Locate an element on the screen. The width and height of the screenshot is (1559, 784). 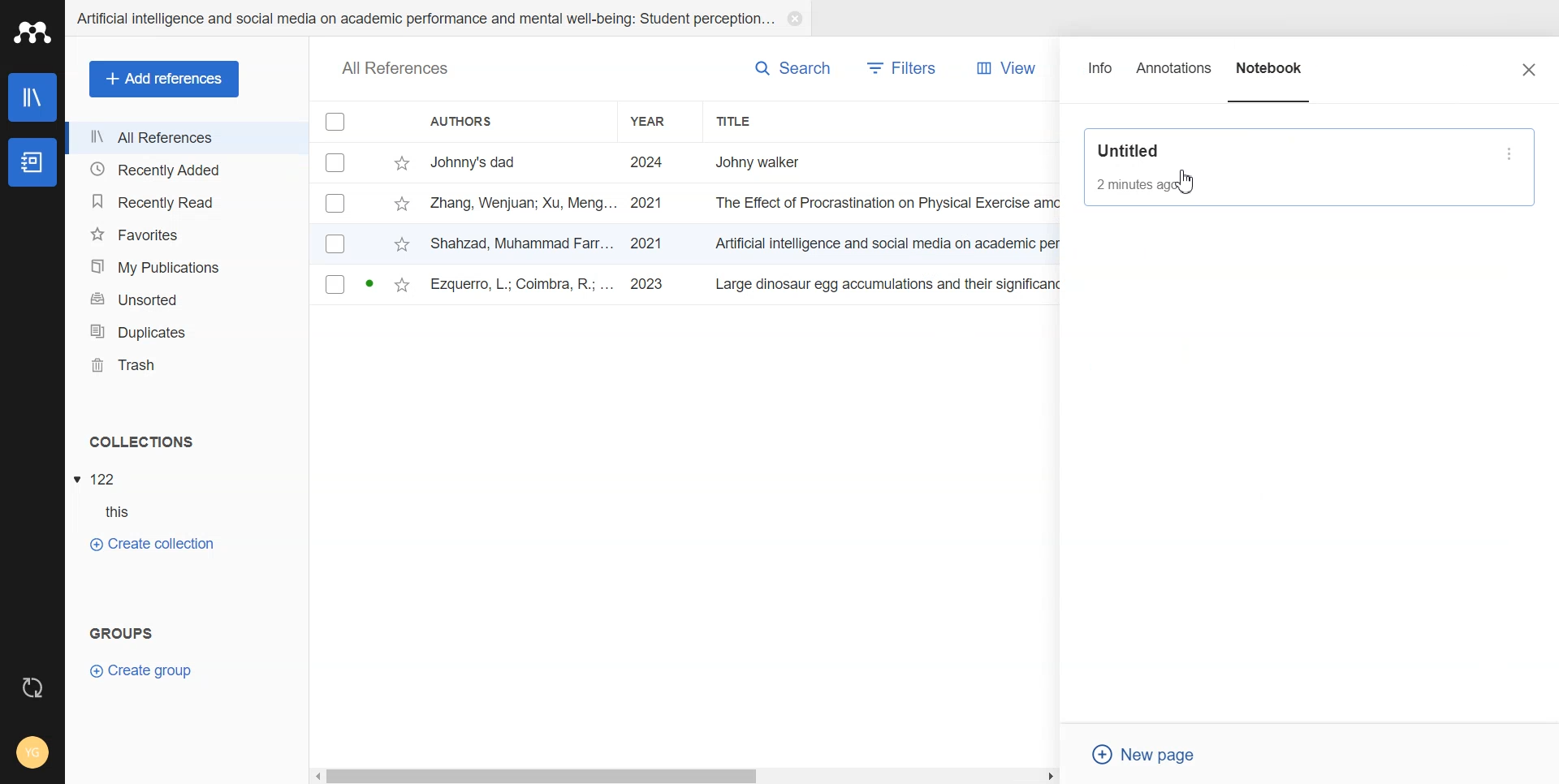
Johny walker is located at coordinates (775, 161).